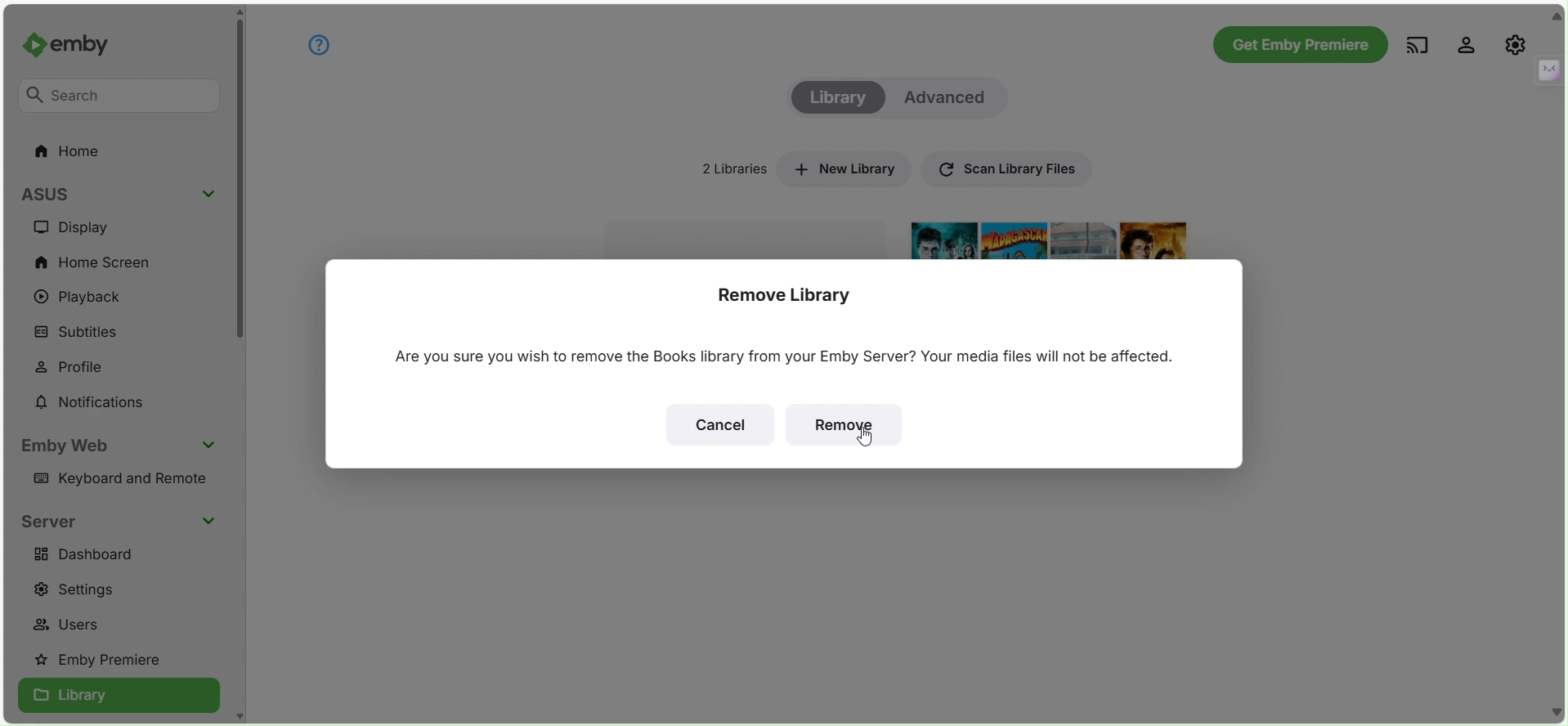 This screenshot has height=726, width=1568. What do you see at coordinates (69, 446) in the screenshot?
I see `Emby Web` at bounding box center [69, 446].